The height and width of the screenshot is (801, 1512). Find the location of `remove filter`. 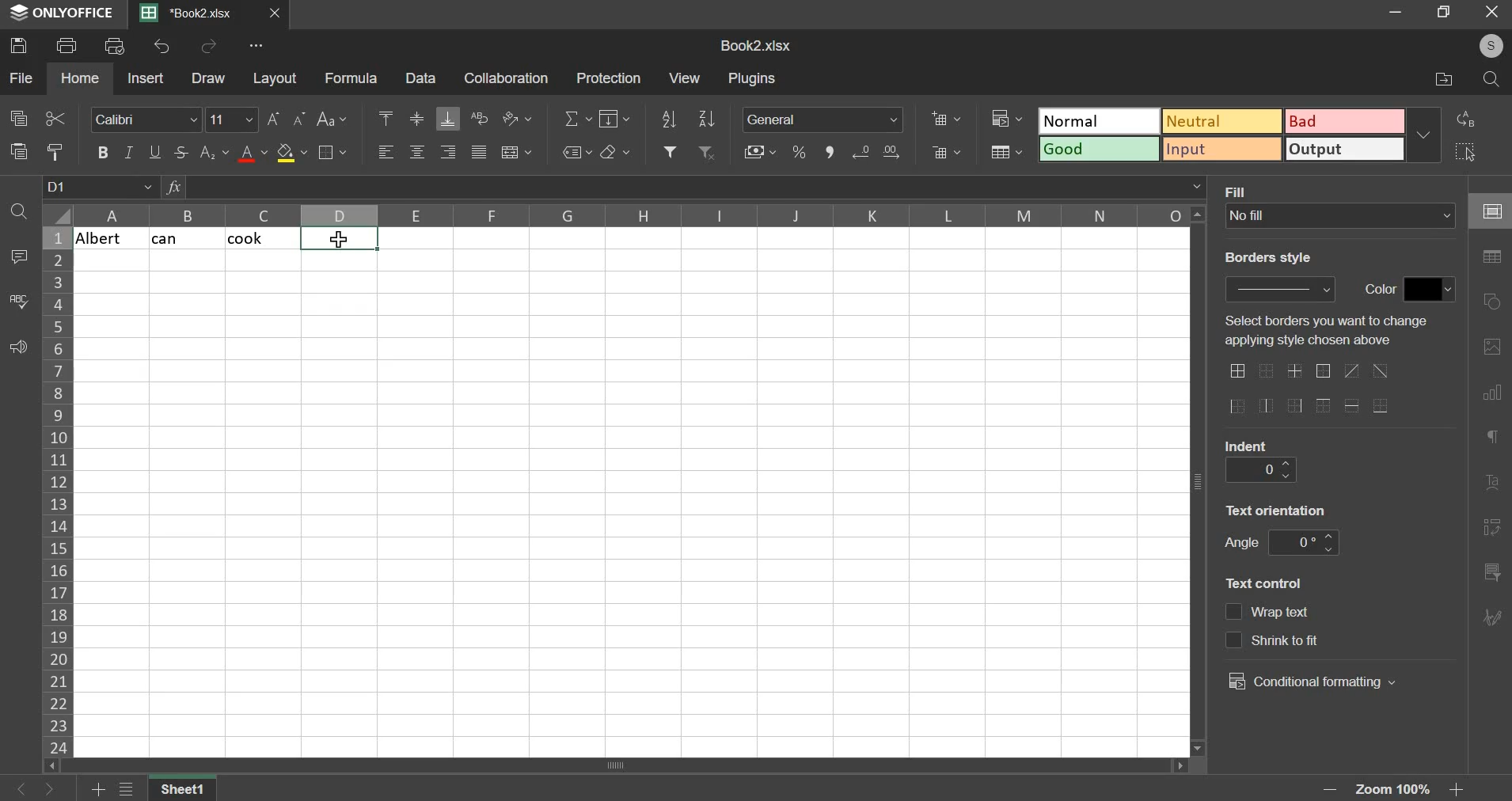

remove filter is located at coordinates (709, 151).